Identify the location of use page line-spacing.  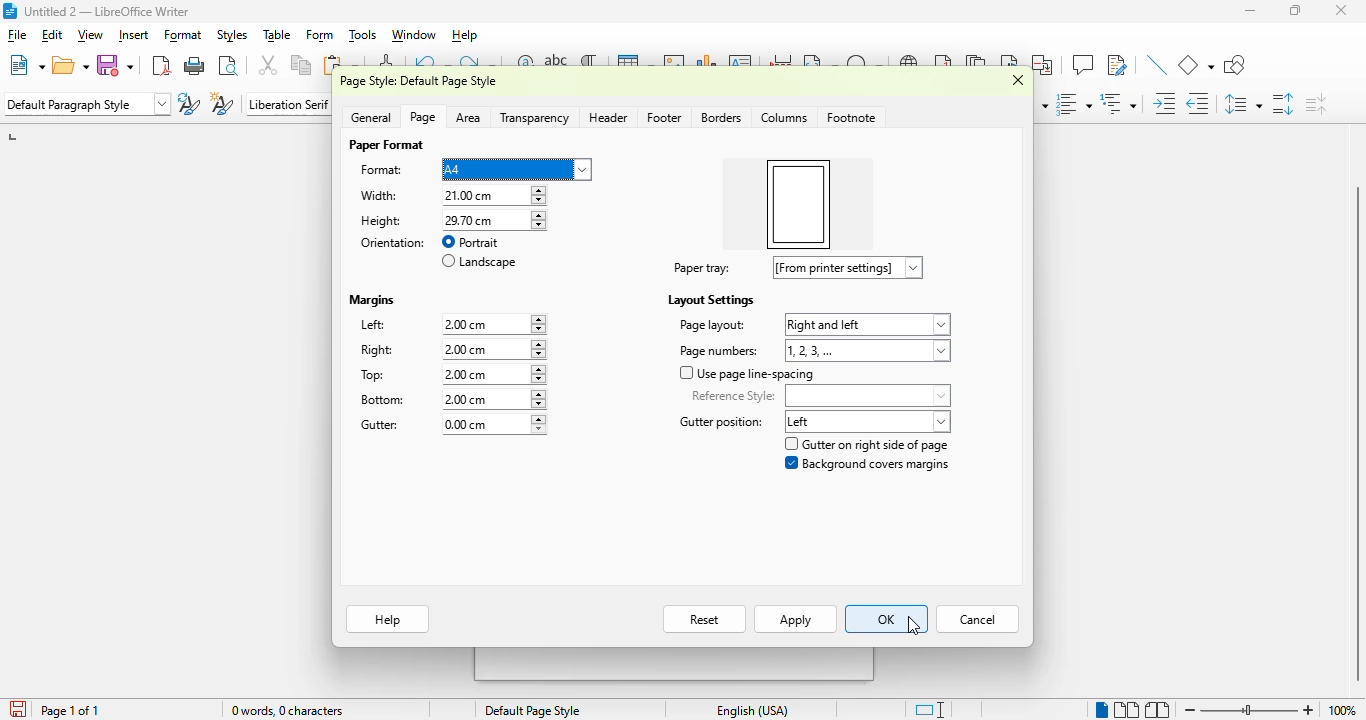
(747, 374).